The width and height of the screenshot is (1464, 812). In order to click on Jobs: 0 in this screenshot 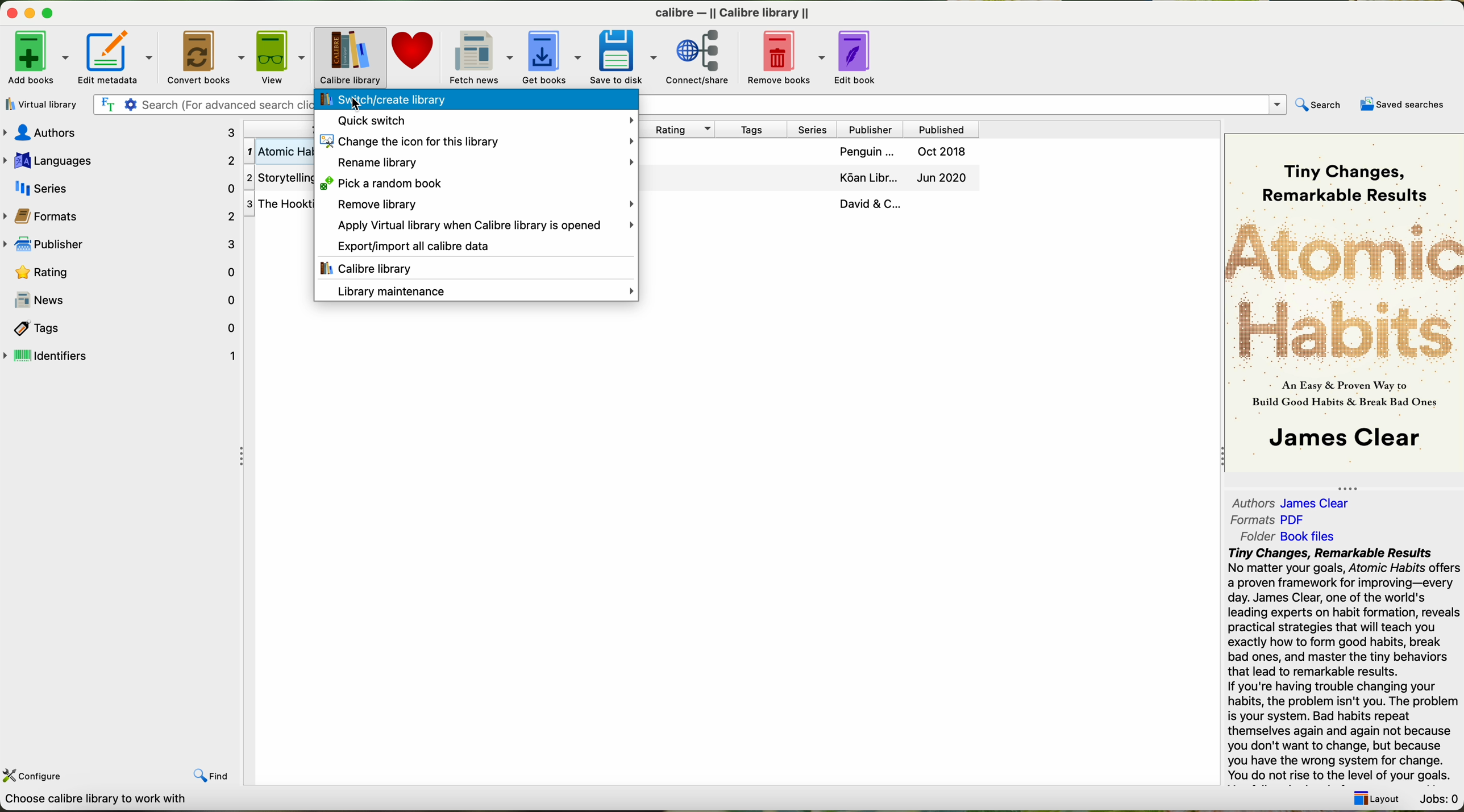, I will do `click(1437, 796)`.